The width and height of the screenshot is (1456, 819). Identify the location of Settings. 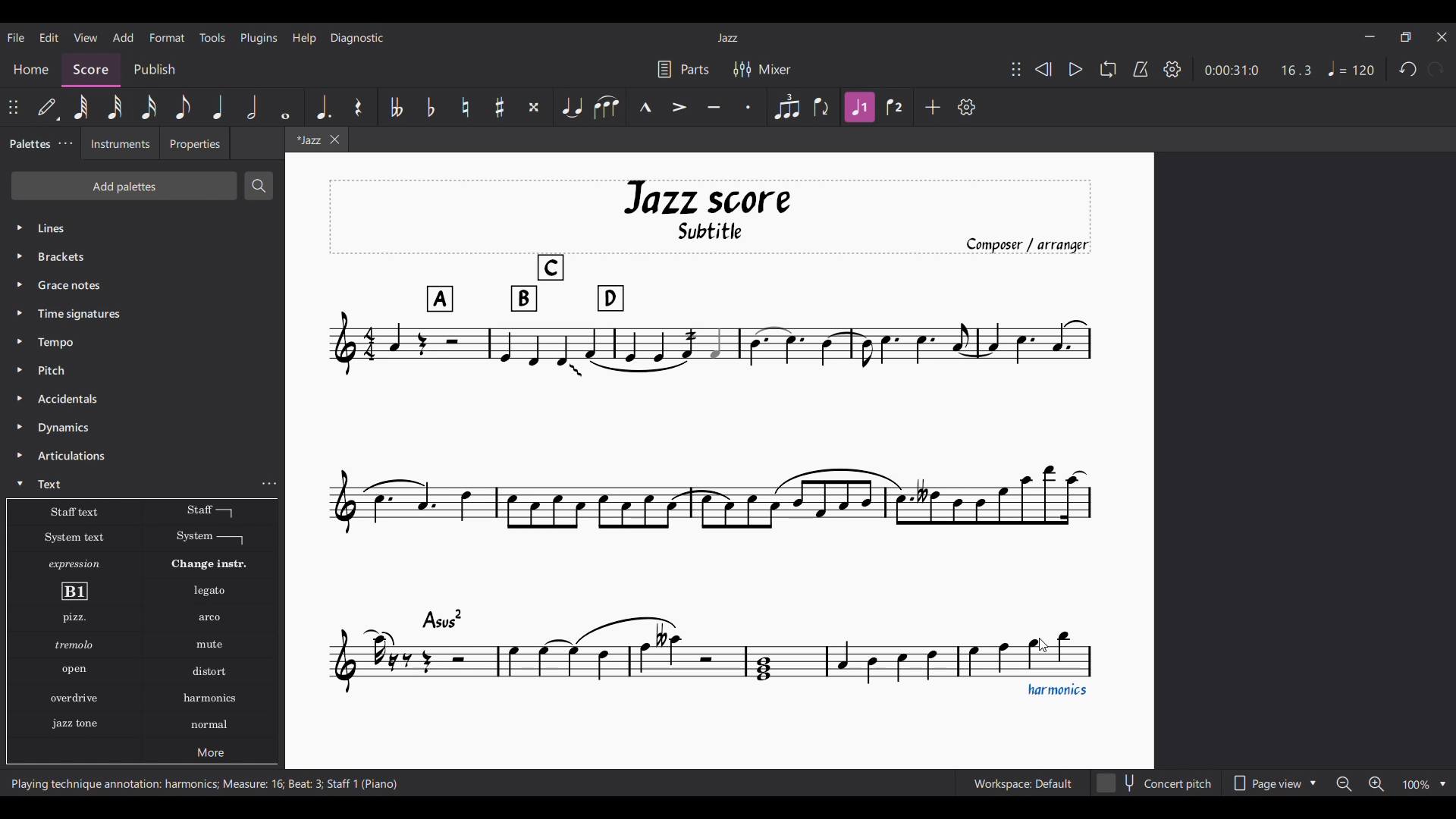
(1172, 70).